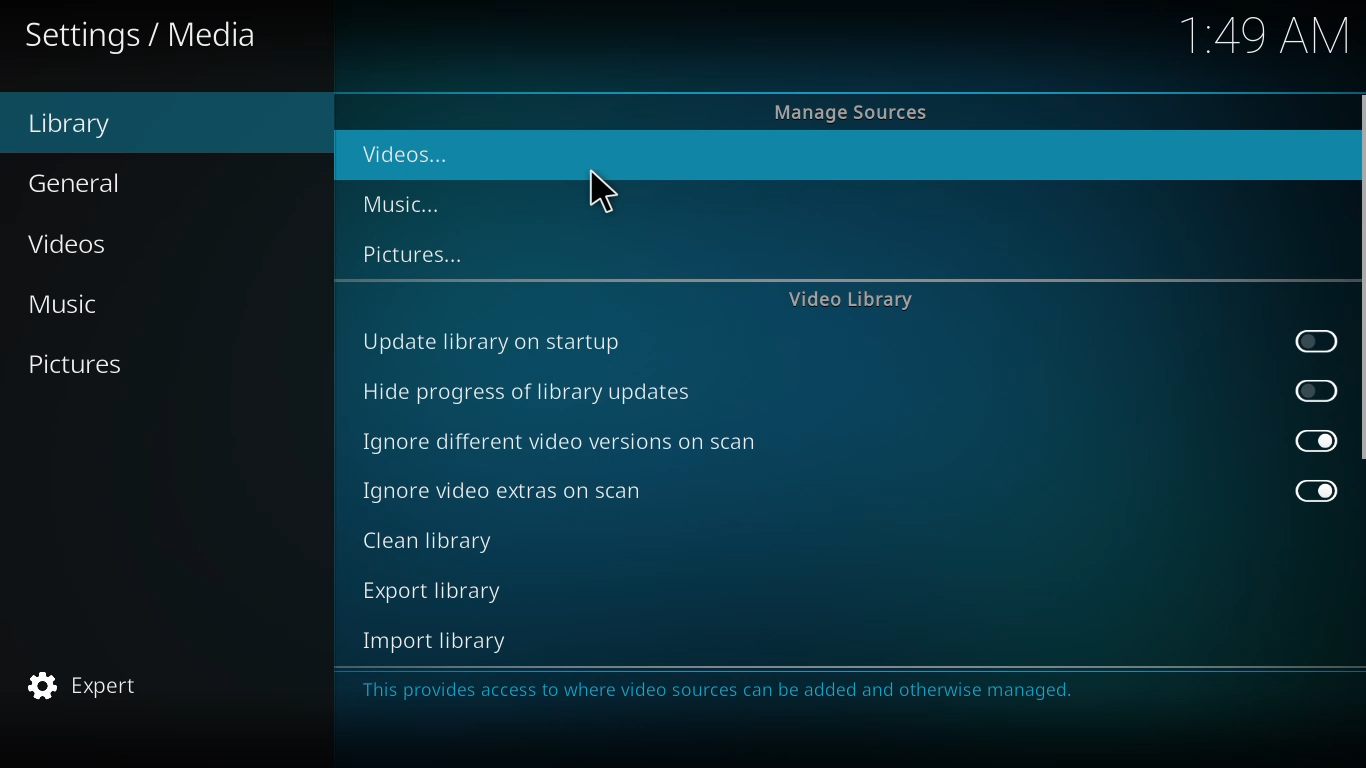 This screenshot has height=768, width=1366. I want to click on videos, so click(405, 156).